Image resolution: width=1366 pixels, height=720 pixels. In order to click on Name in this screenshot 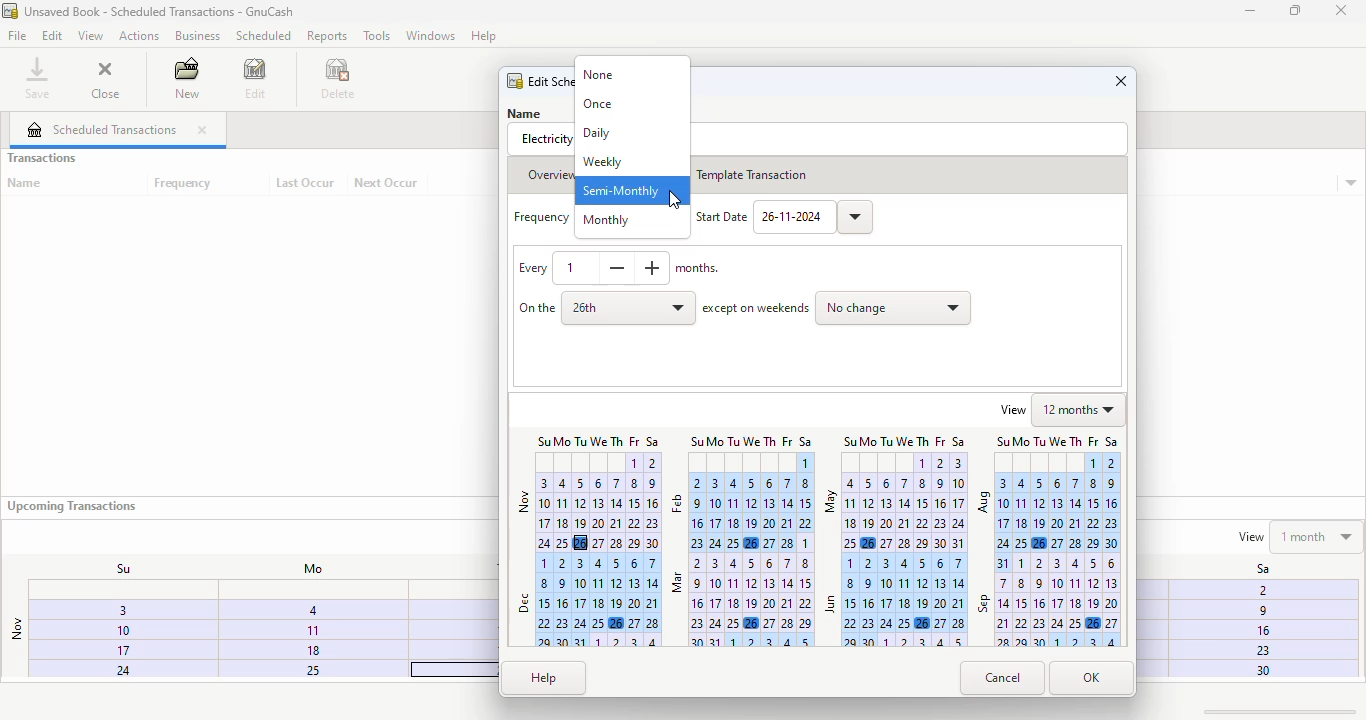, I will do `click(519, 112)`.